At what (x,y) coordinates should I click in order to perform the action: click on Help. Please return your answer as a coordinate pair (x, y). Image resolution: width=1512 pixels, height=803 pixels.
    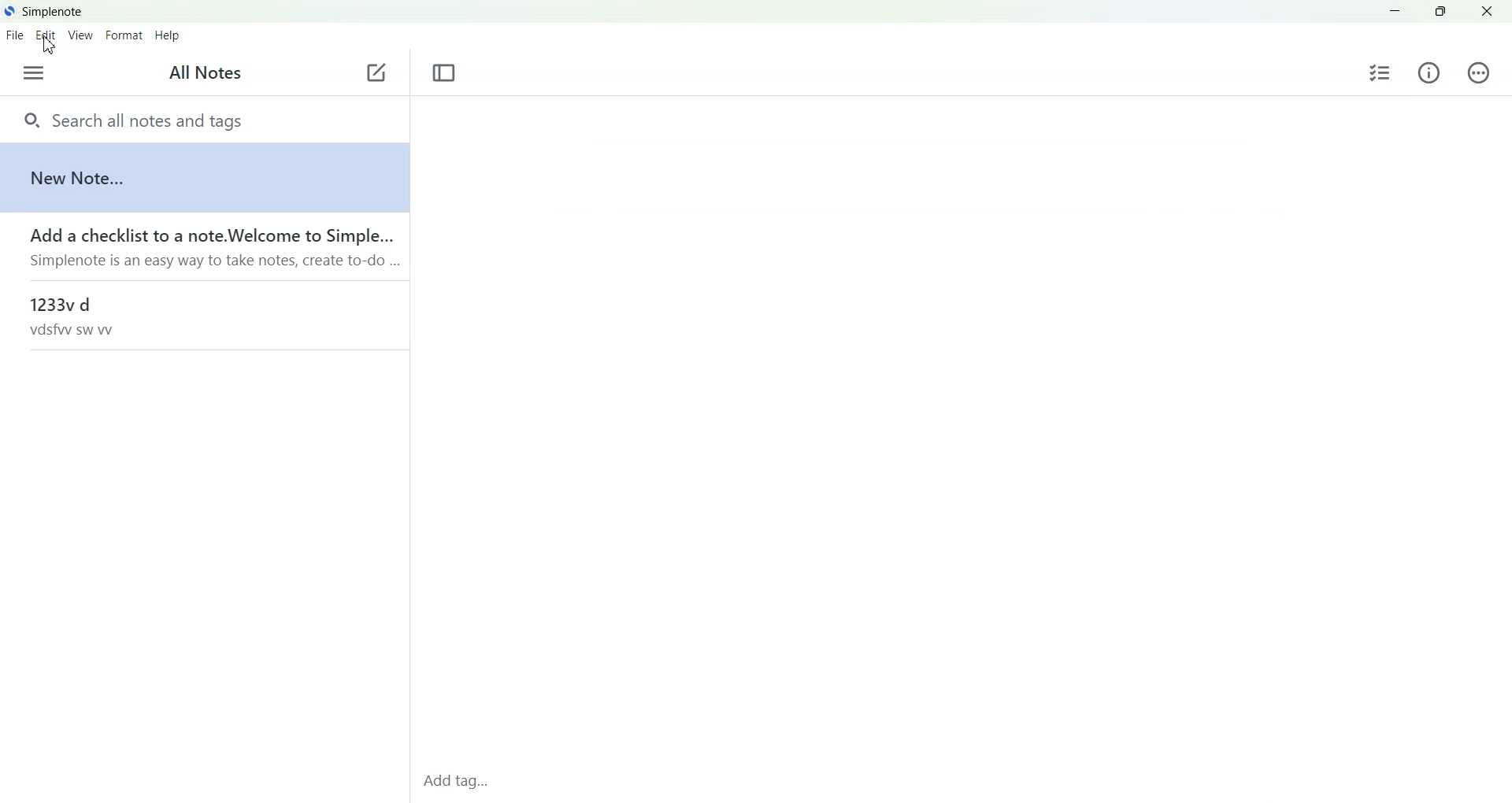
    Looking at the image, I should click on (170, 36).